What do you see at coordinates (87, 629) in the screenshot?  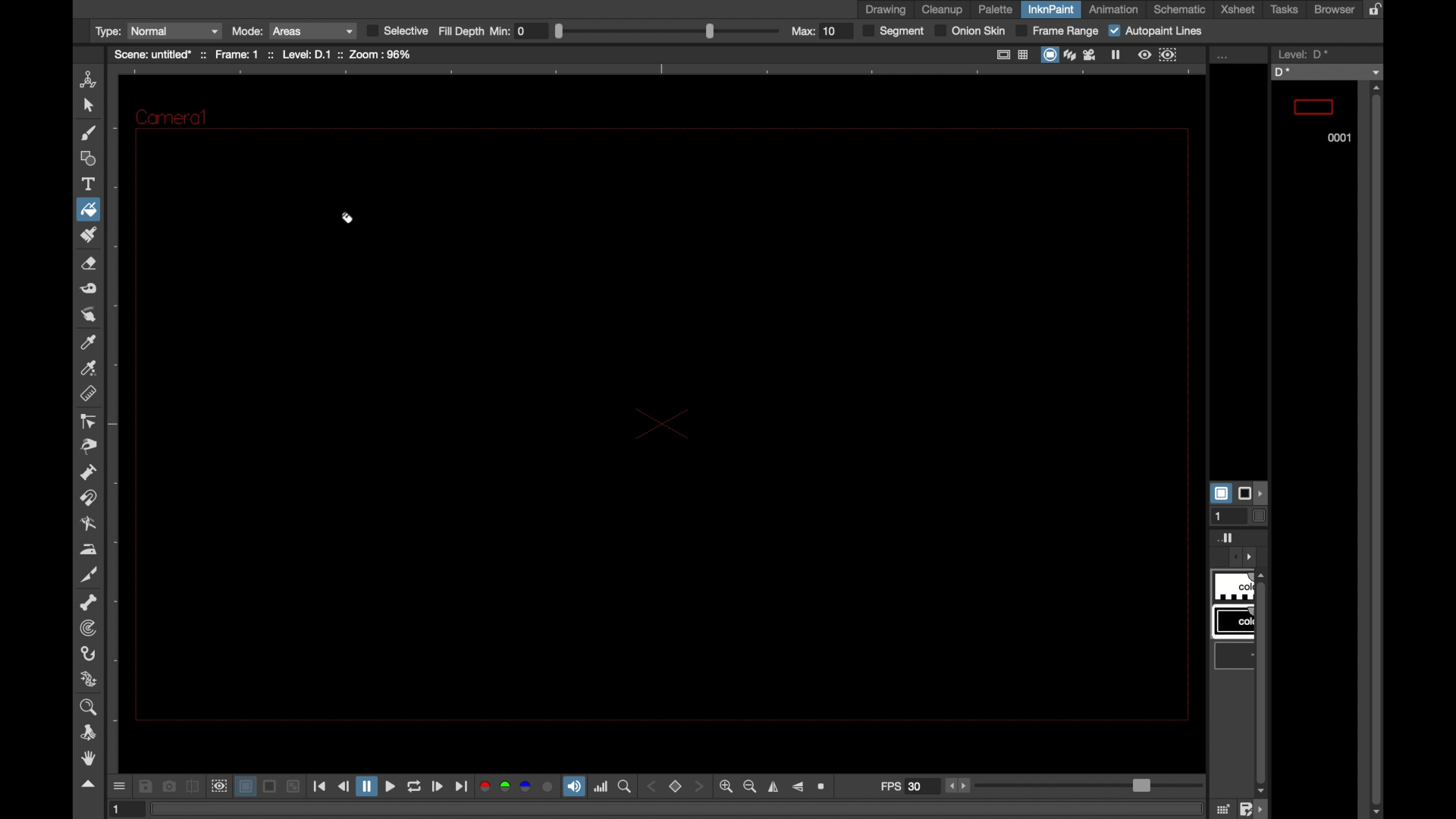 I see `tracker tool` at bounding box center [87, 629].